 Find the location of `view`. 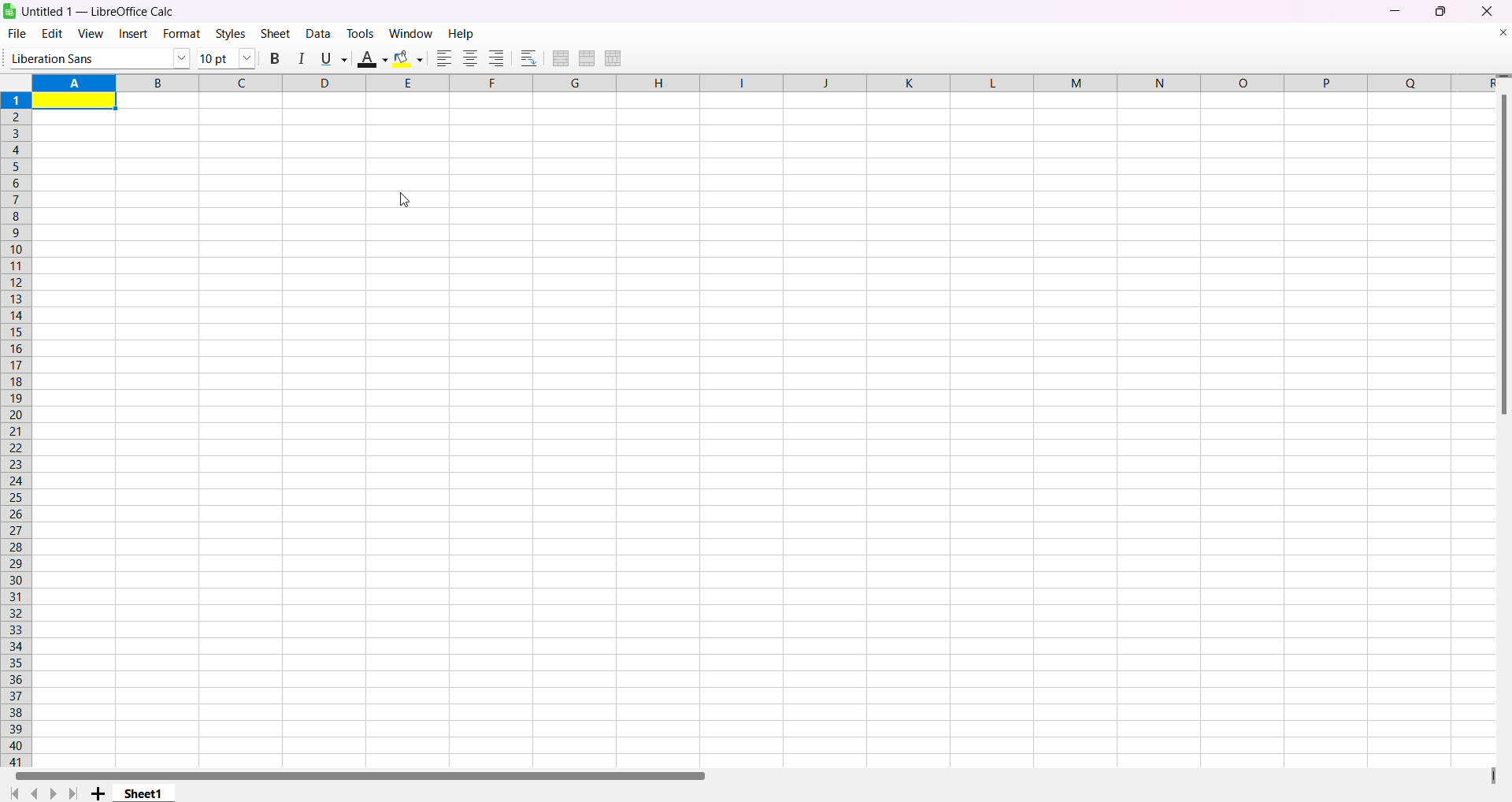

view is located at coordinates (87, 34).